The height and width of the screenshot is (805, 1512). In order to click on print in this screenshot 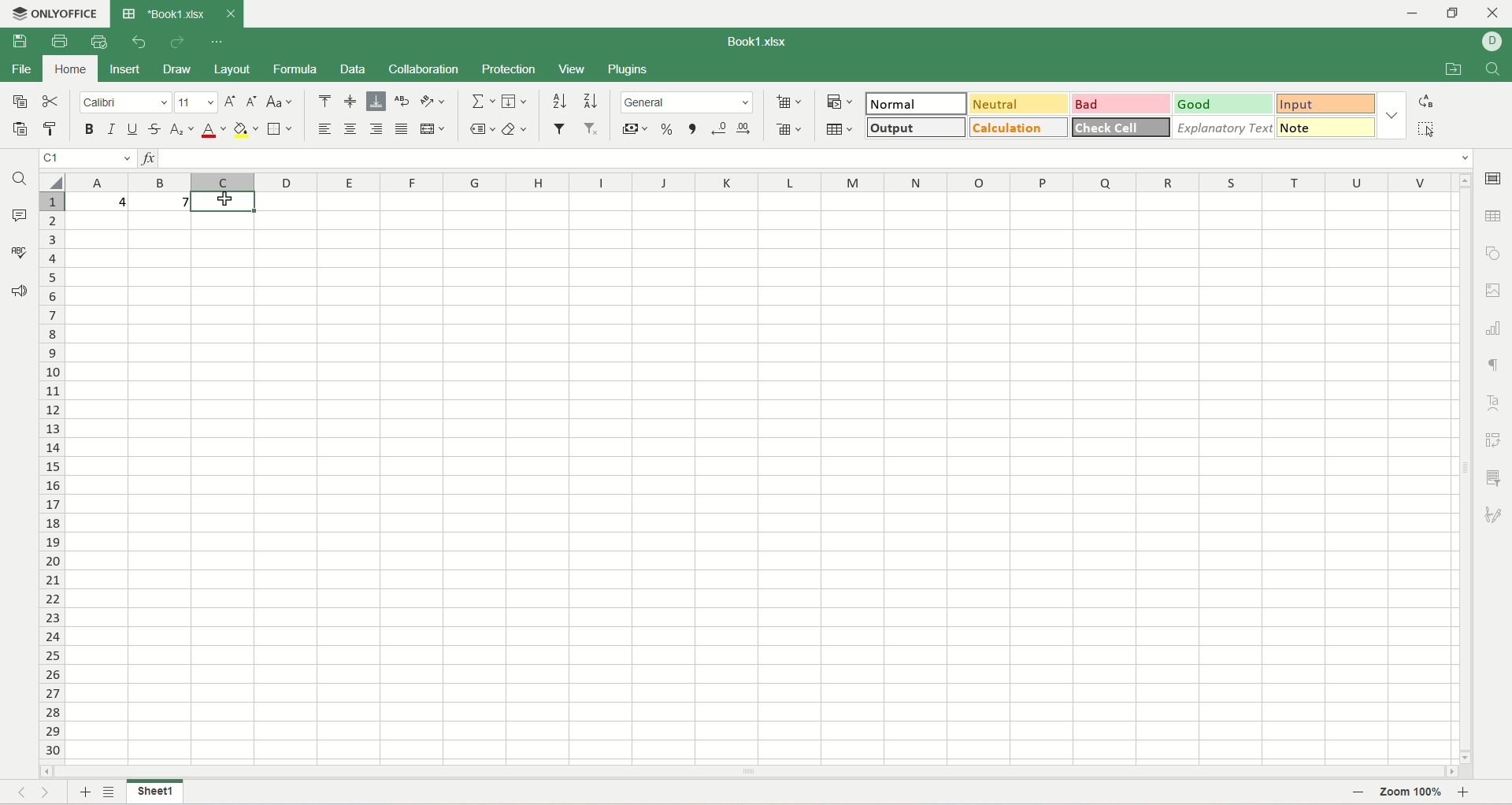, I will do `click(60, 39)`.